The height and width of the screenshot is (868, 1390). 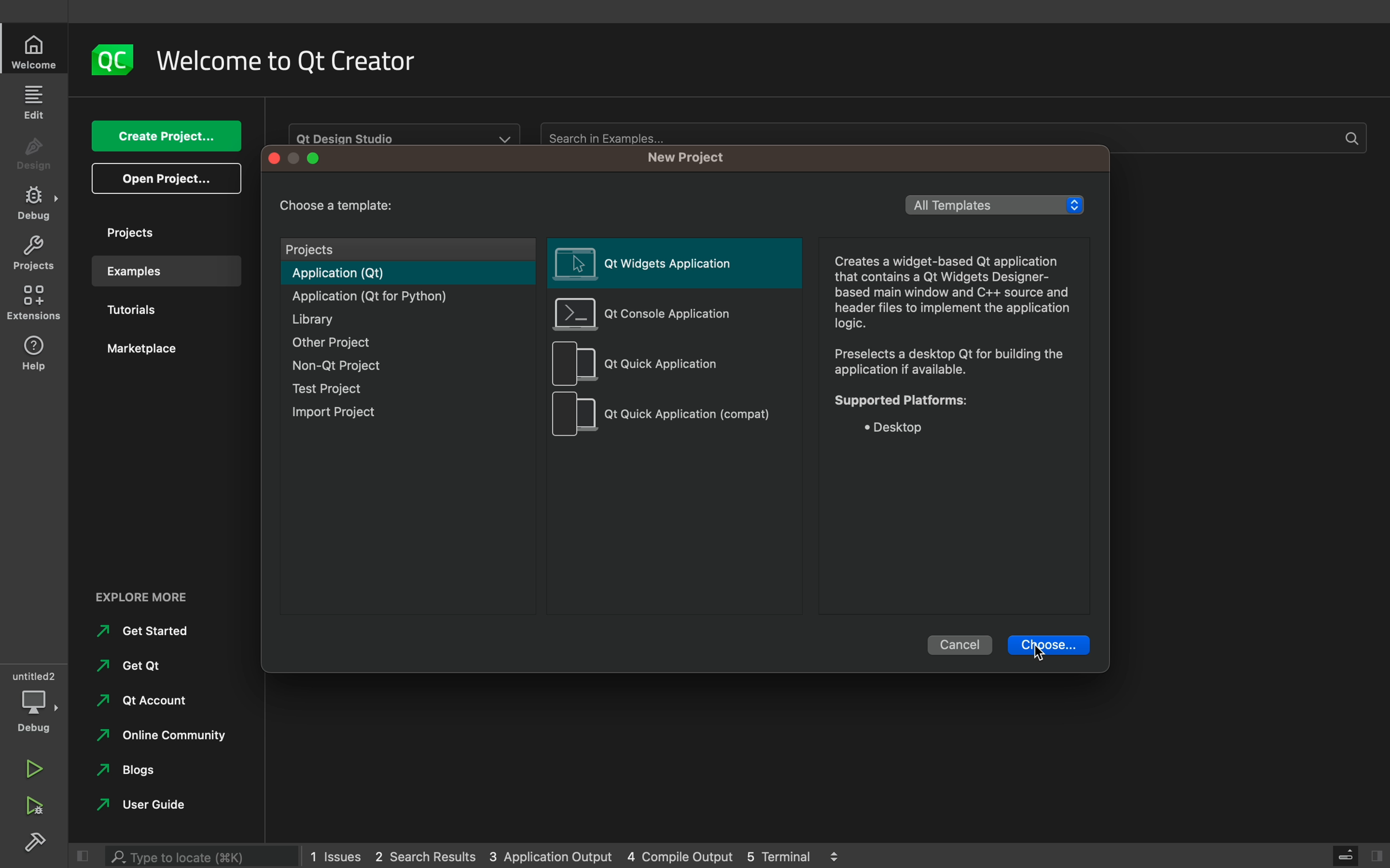 What do you see at coordinates (674, 262) in the screenshot?
I see `qt widgets application` at bounding box center [674, 262].